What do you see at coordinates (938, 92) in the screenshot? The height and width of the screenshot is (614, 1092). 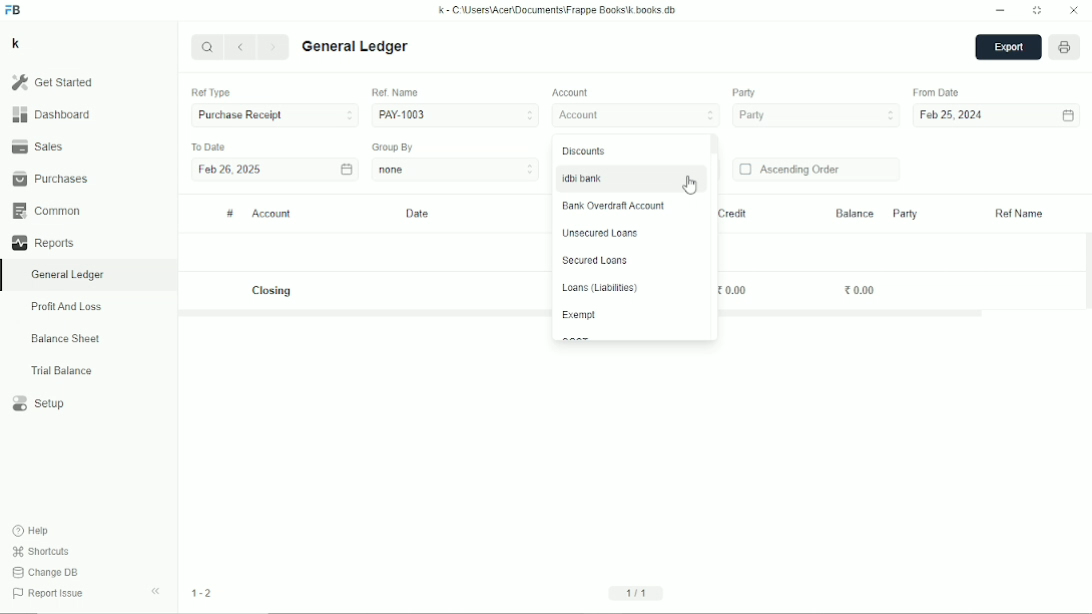 I see `From date` at bounding box center [938, 92].